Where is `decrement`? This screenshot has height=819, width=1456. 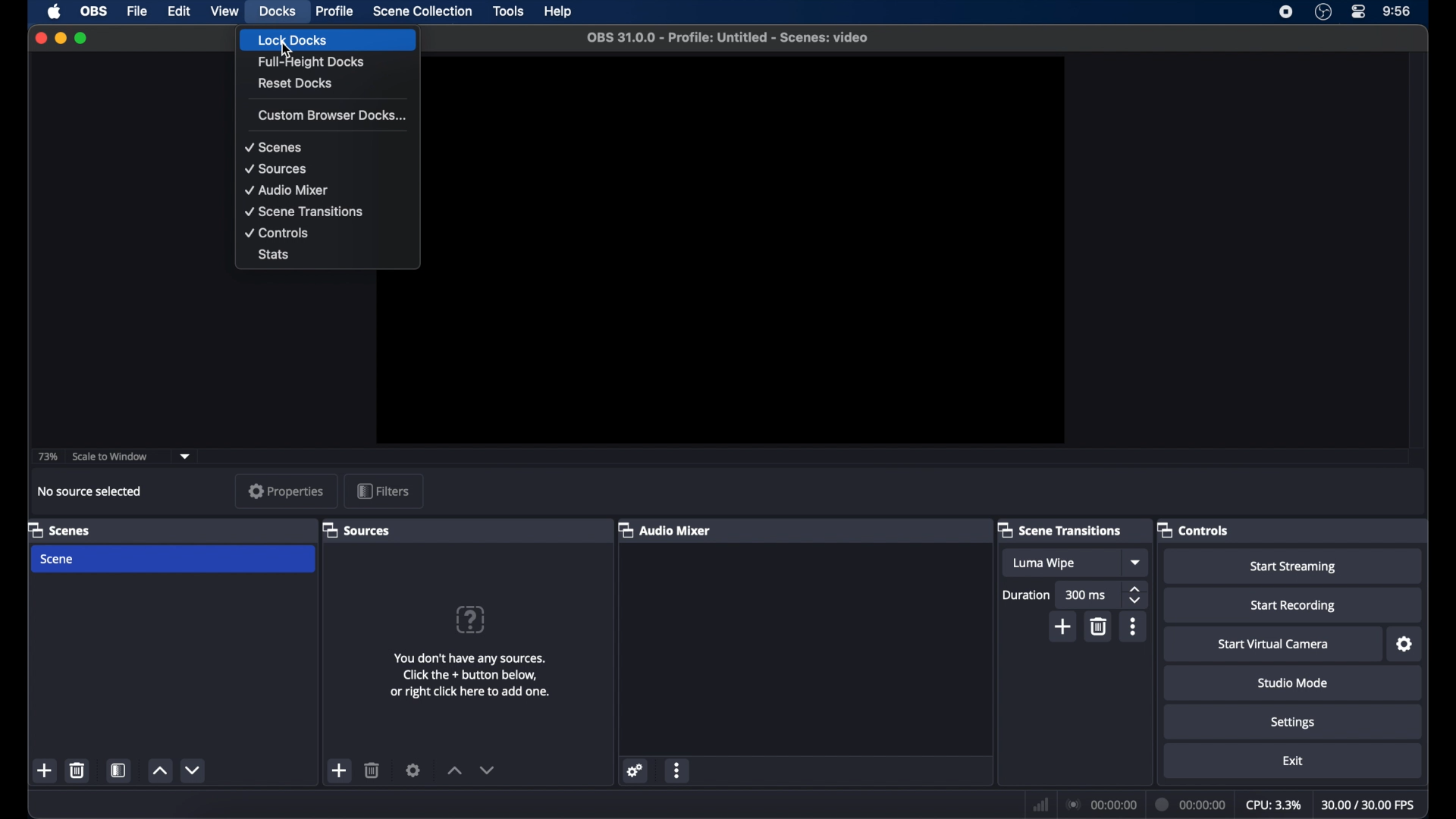
decrement is located at coordinates (487, 769).